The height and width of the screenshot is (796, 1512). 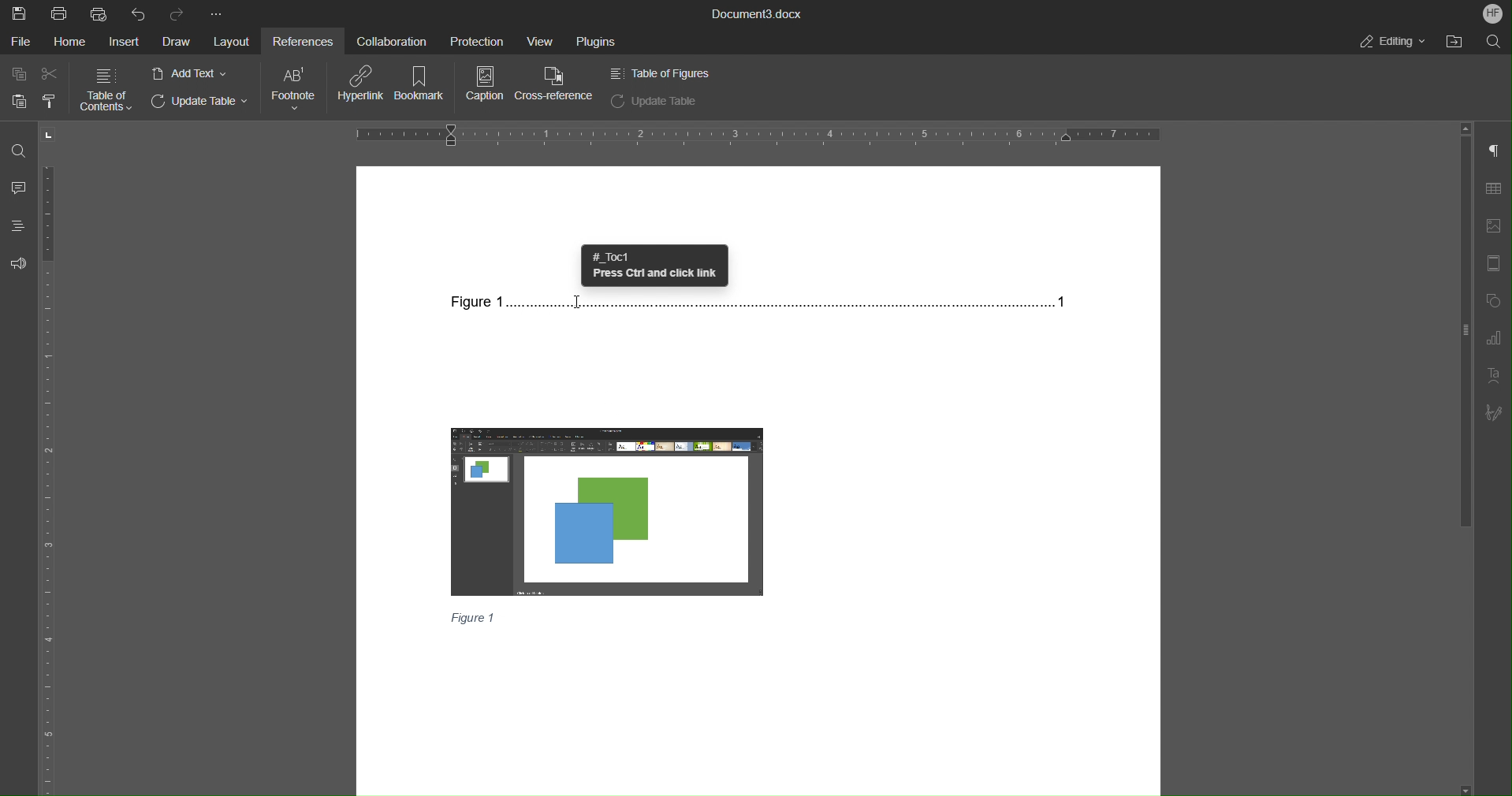 What do you see at coordinates (755, 13) in the screenshot?
I see `Document3.docx(Document Title)` at bounding box center [755, 13].